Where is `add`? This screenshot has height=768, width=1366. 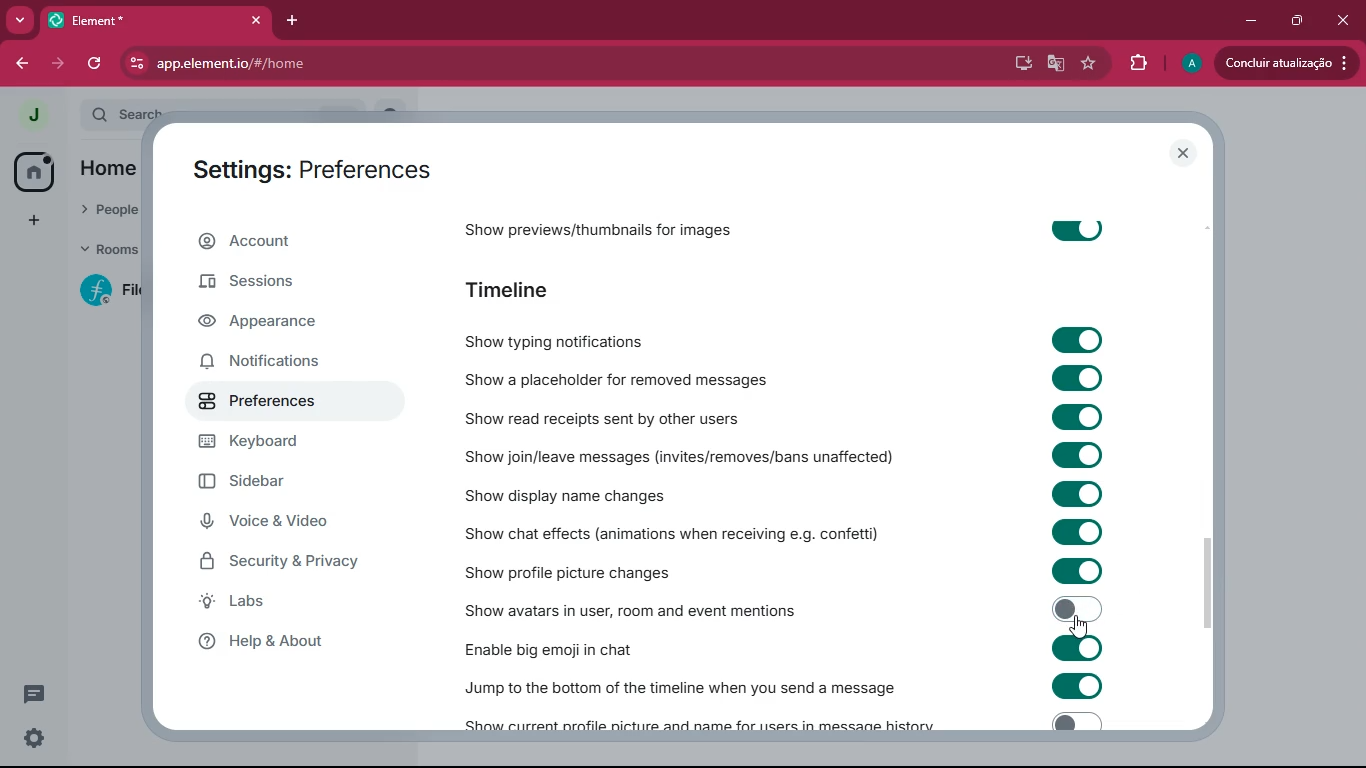 add is located at coordinates (30, 220).